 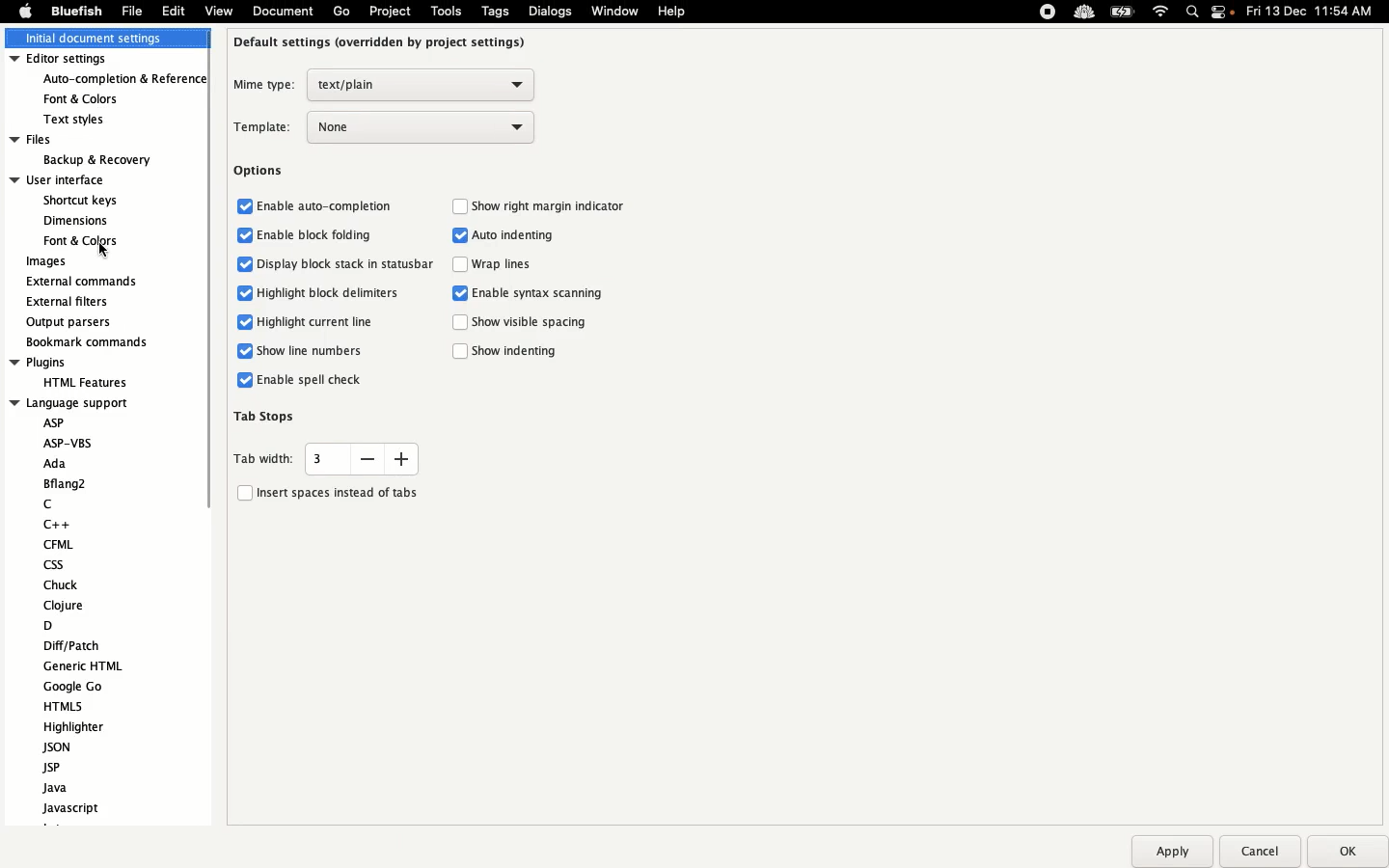 What do you see at coordinates (302, 350) in the screenshot?
I see `Show line numbers` at bounding box center [302, 350].